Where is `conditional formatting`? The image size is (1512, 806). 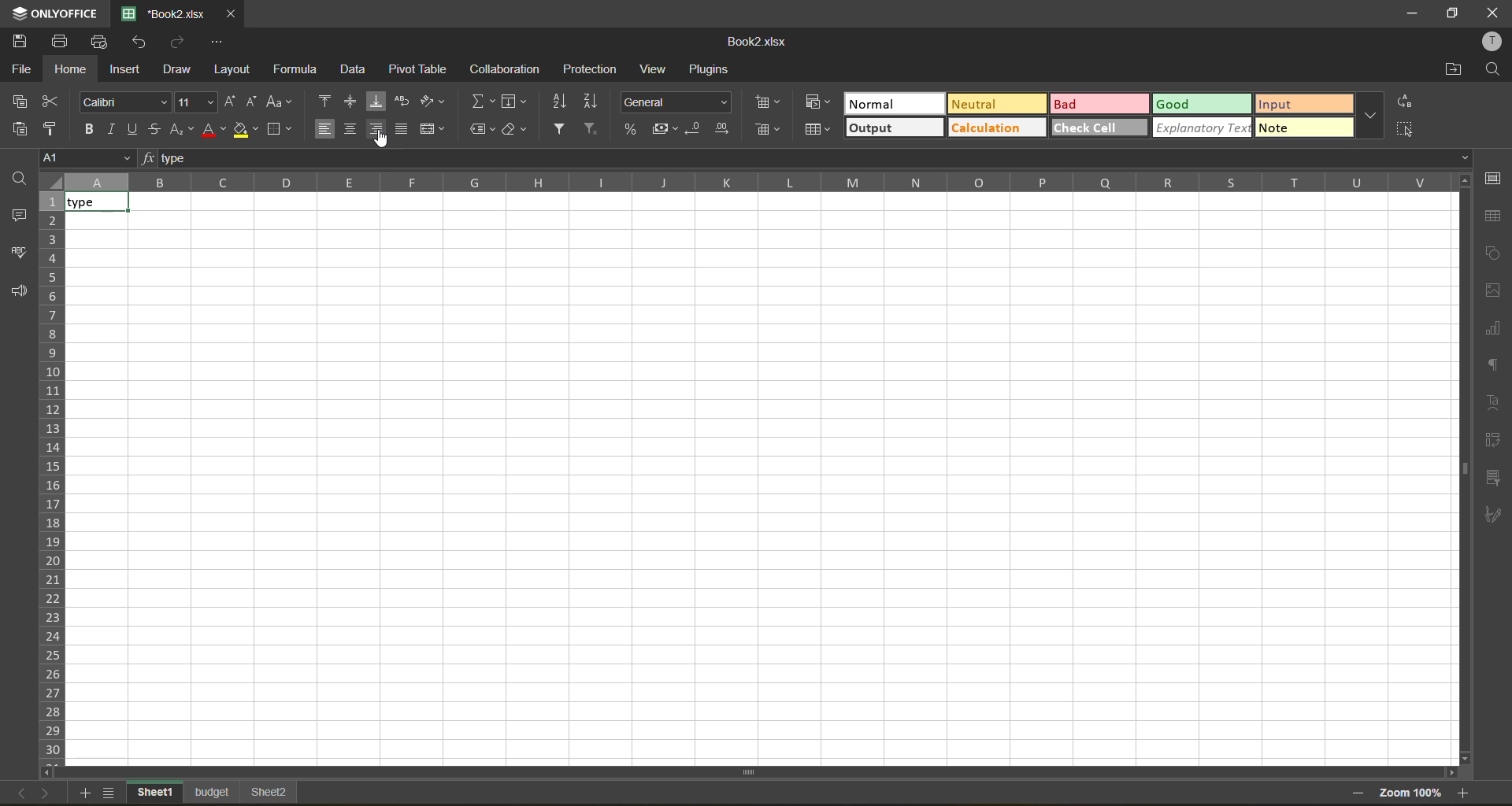 conditional formatting is located at coordinates (820, 104).